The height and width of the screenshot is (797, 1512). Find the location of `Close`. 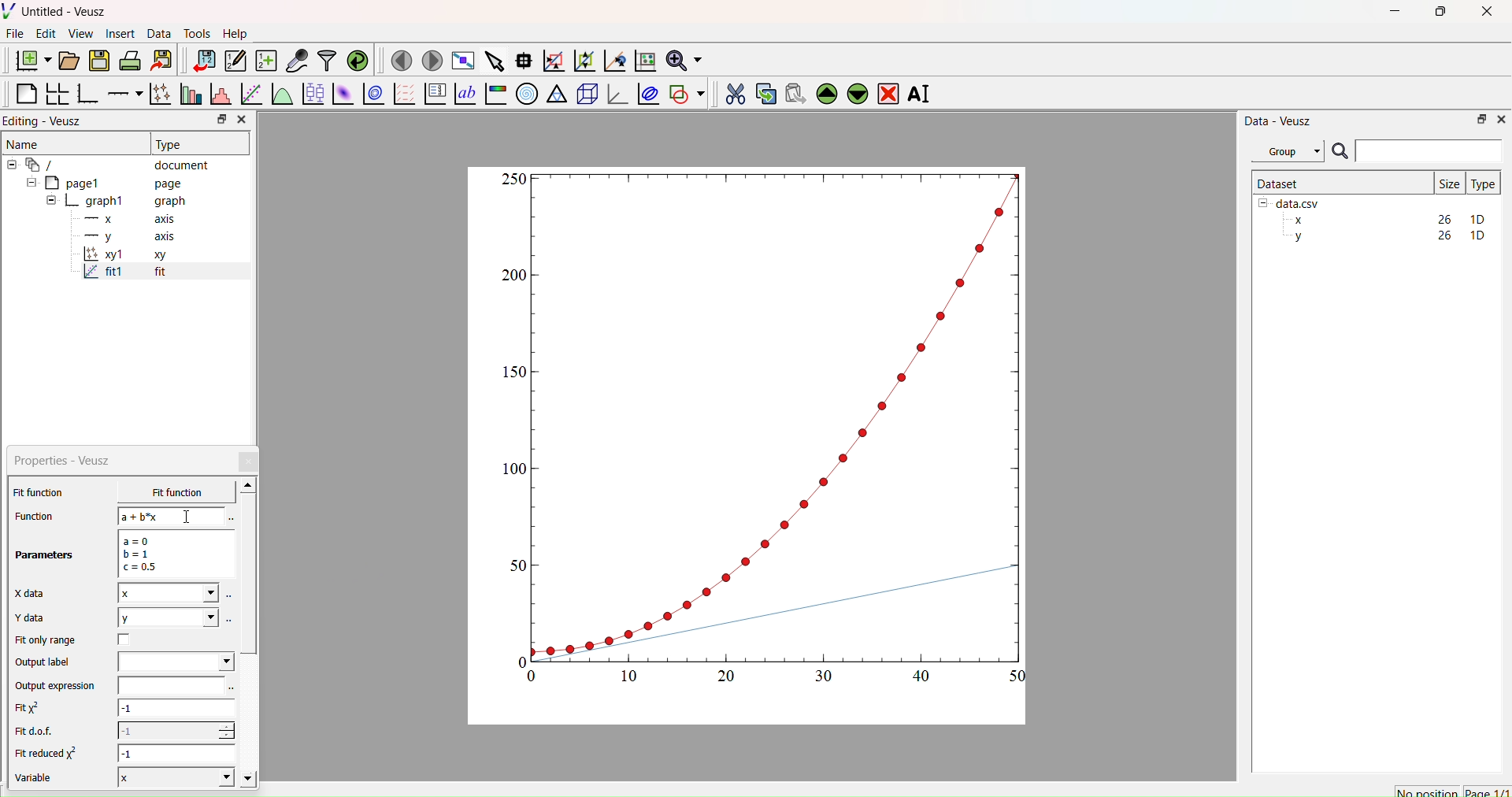

Close is located at coordinates (1488, 16).